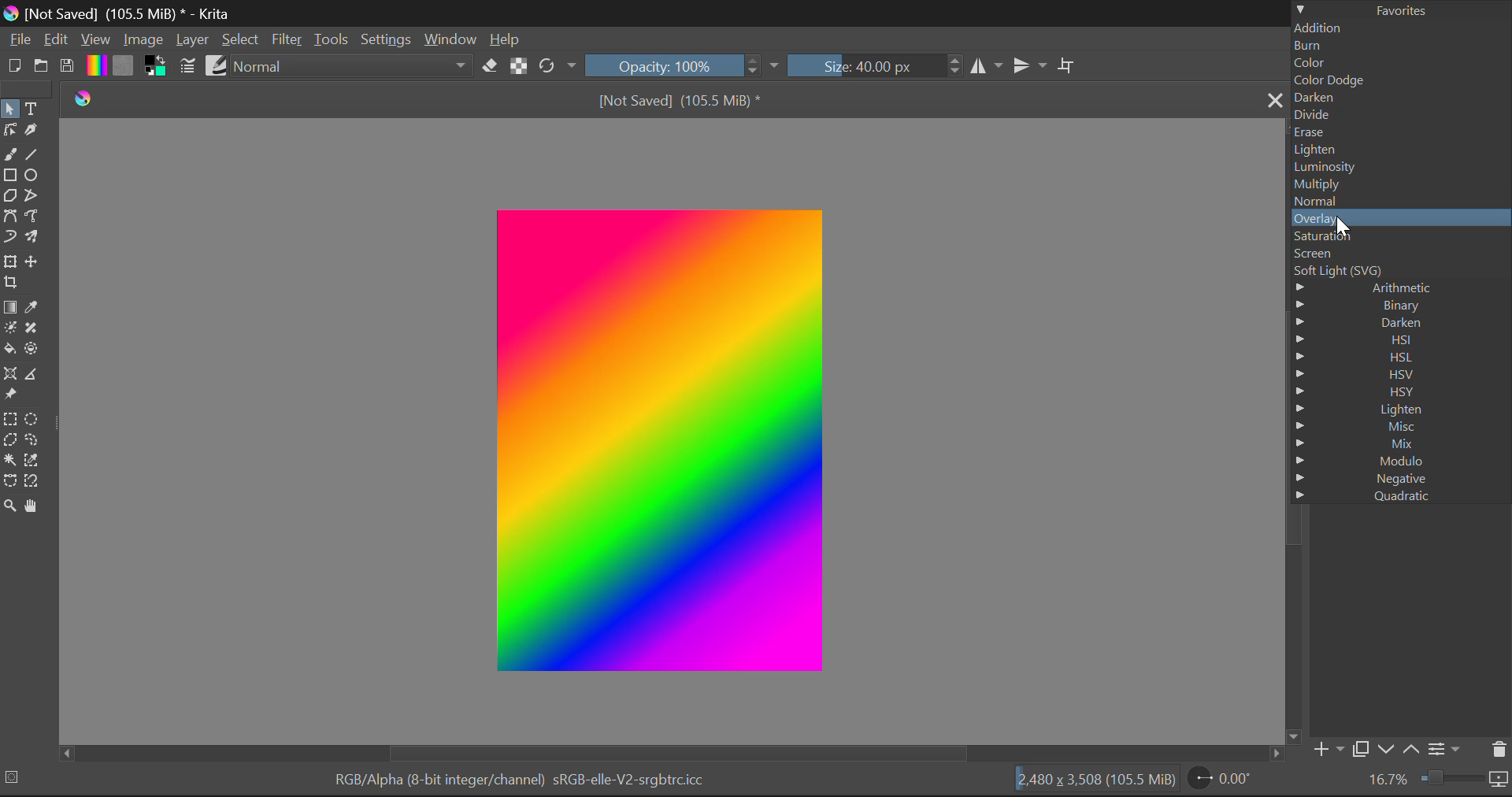 This screenshot has width=1512, height=797. What do you see at coordinates (1399, 183) in the screenshot?
I see `Multiply` at bounding box center [1399, 183].